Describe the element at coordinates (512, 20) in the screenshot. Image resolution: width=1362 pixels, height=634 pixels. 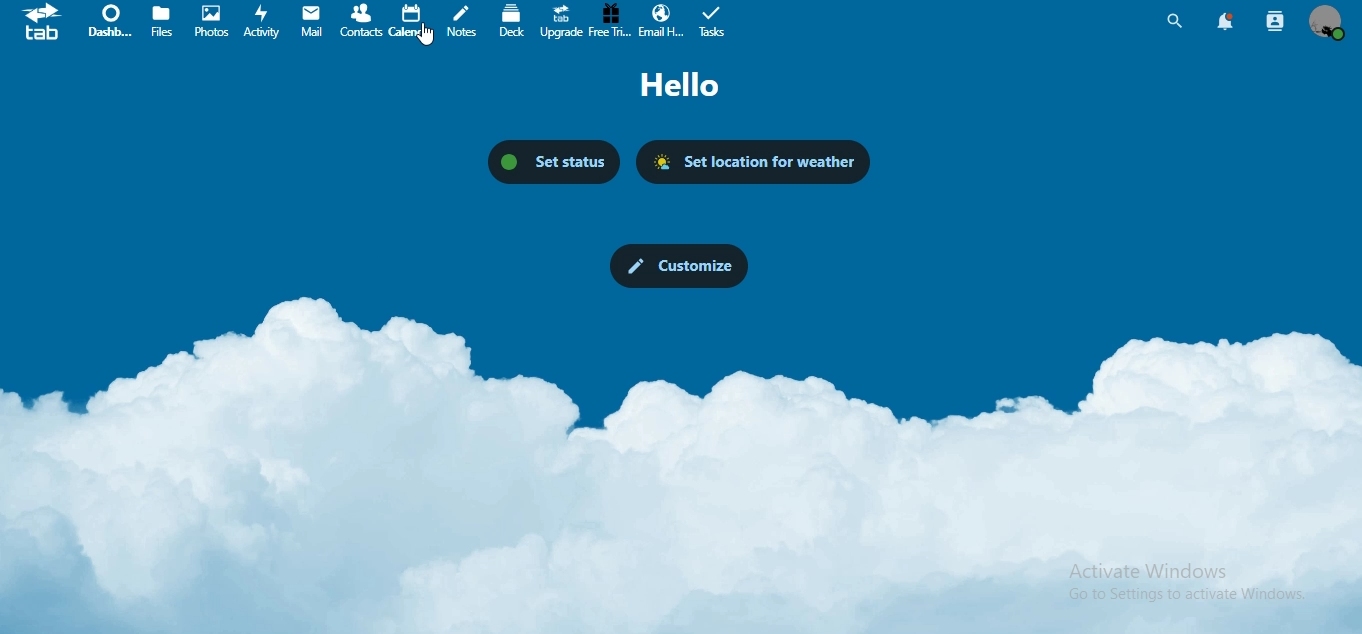
I see `deck` at that location.